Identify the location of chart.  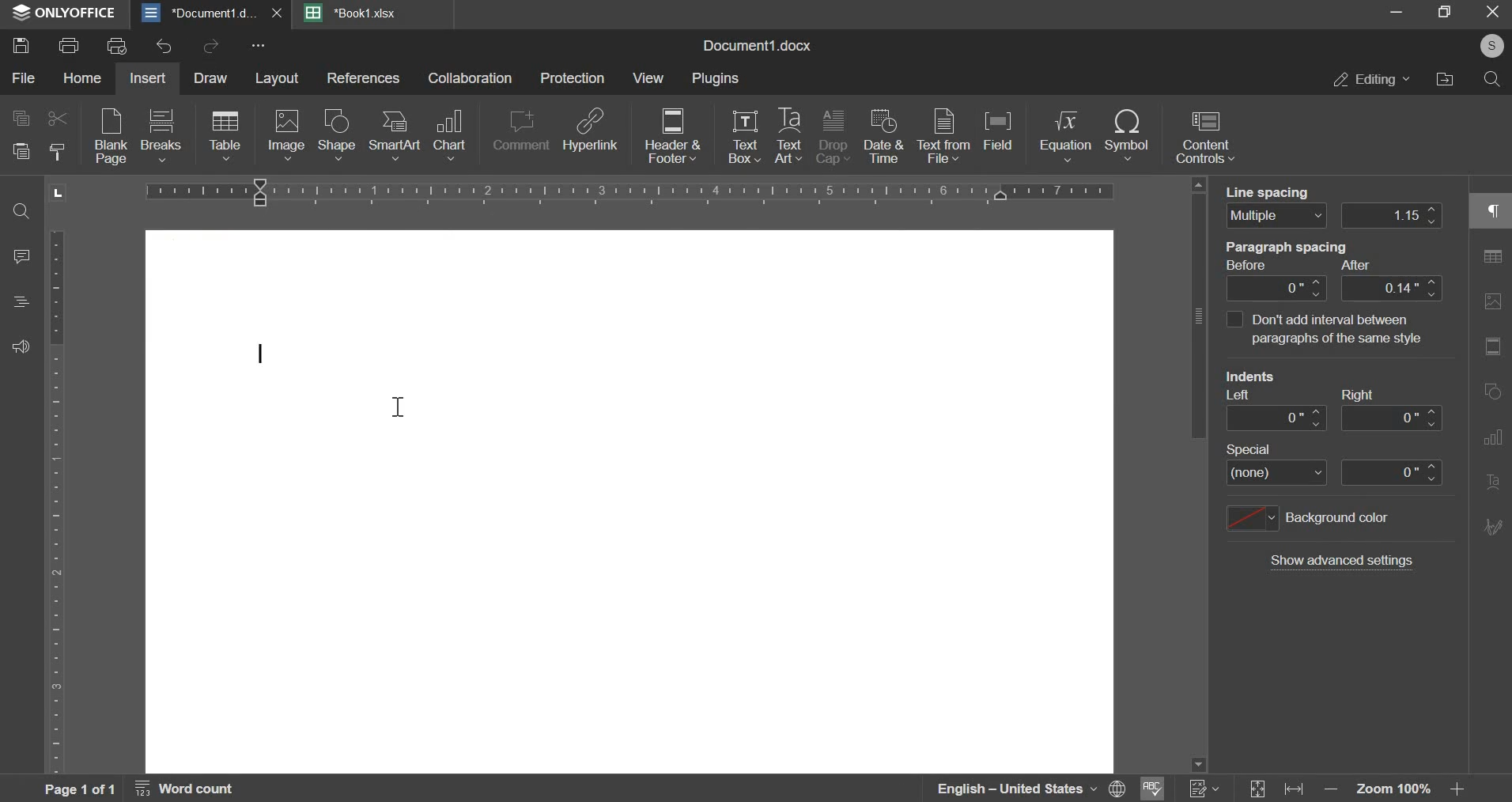
(449, 134).